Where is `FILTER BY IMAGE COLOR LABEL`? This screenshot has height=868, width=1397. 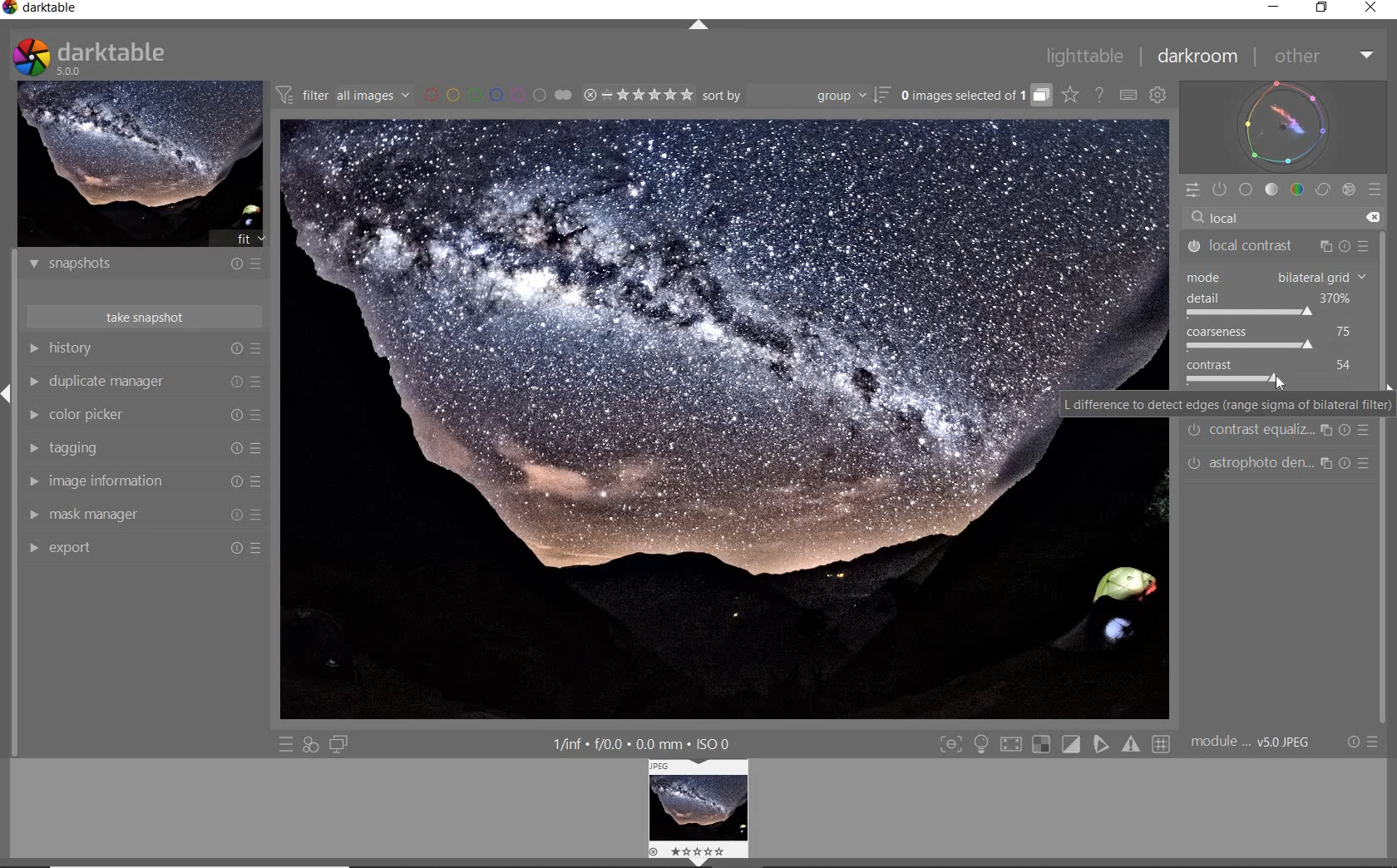 FILTER BY IMAGE COLOR LABEL is located at coordinates (497, 95).